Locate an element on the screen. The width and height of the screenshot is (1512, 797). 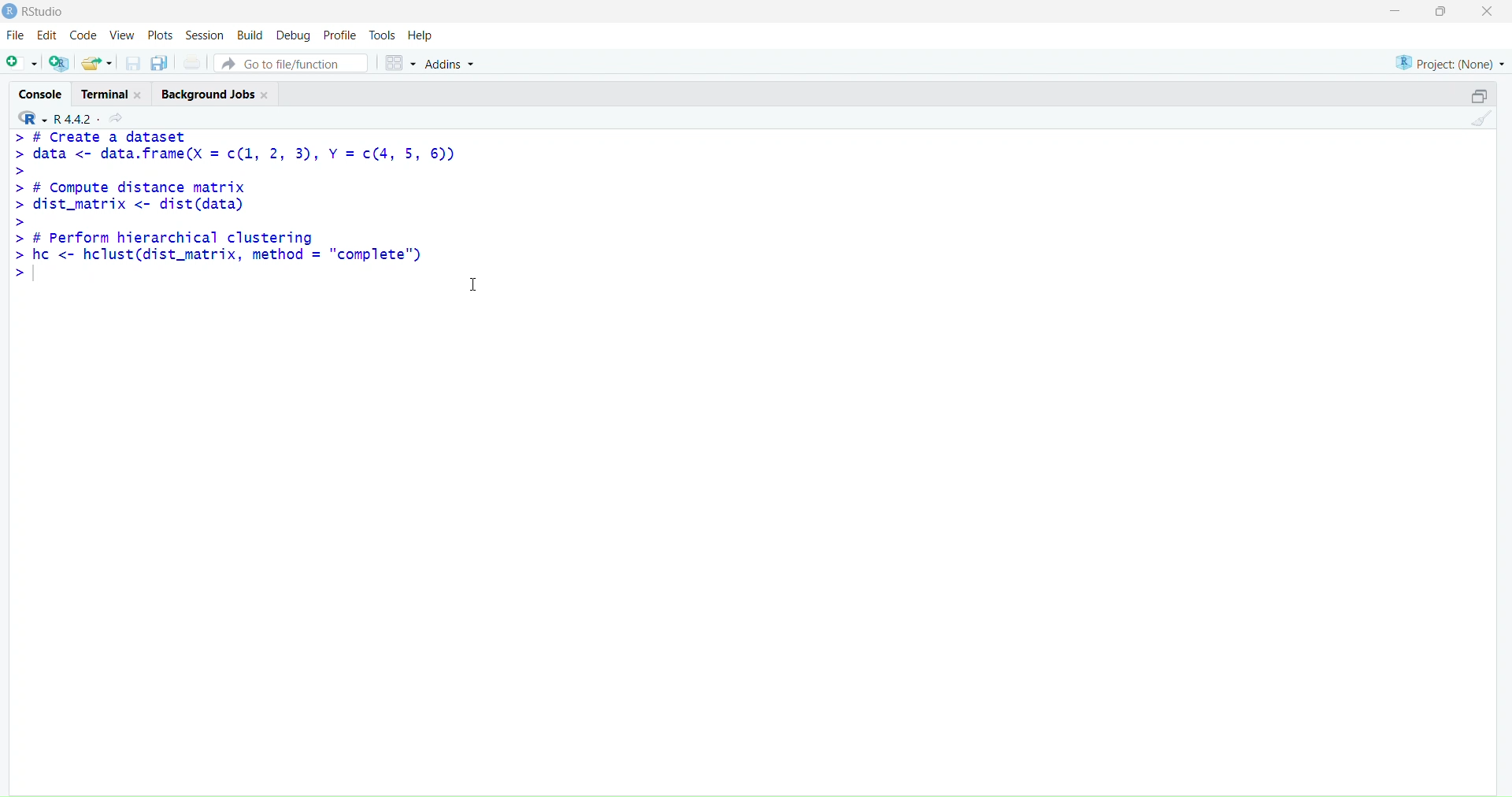
> # Create a dataset
> data <- data.frame(X = c(1, 2, 3), Y = c(4, 5, 6))
>
> # Compute distance matrix
> dist_matrix <- dist(data)
>
> # Perform hierarchical clustering
> hc <- hclust(dist_matrix, method = "complete")
>|
I is located at coordinates (250, 225).